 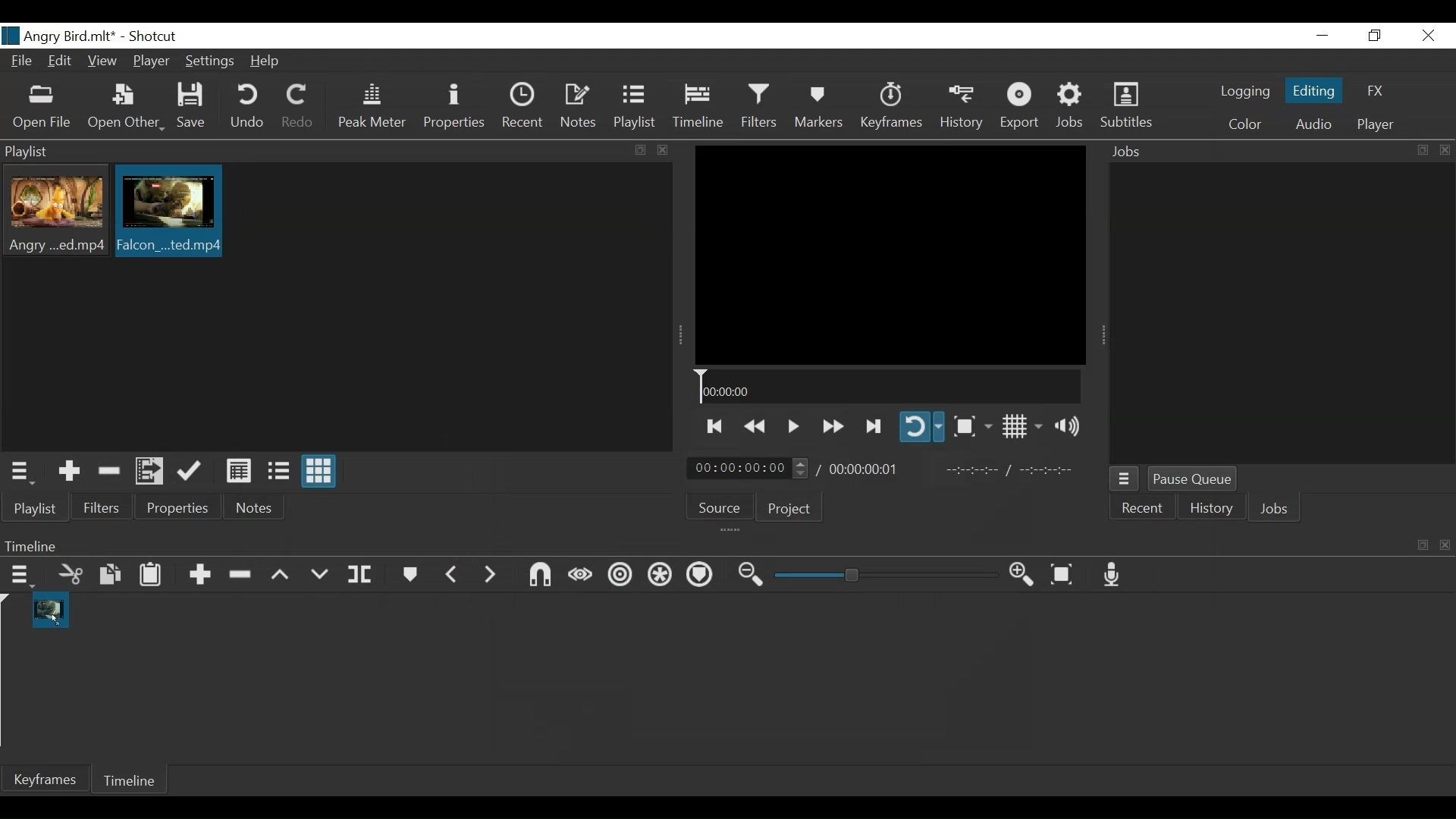 What do you see at coordinates (99, 507) in the screenshot?
I see `Filters` at bounding box center [99, 507].